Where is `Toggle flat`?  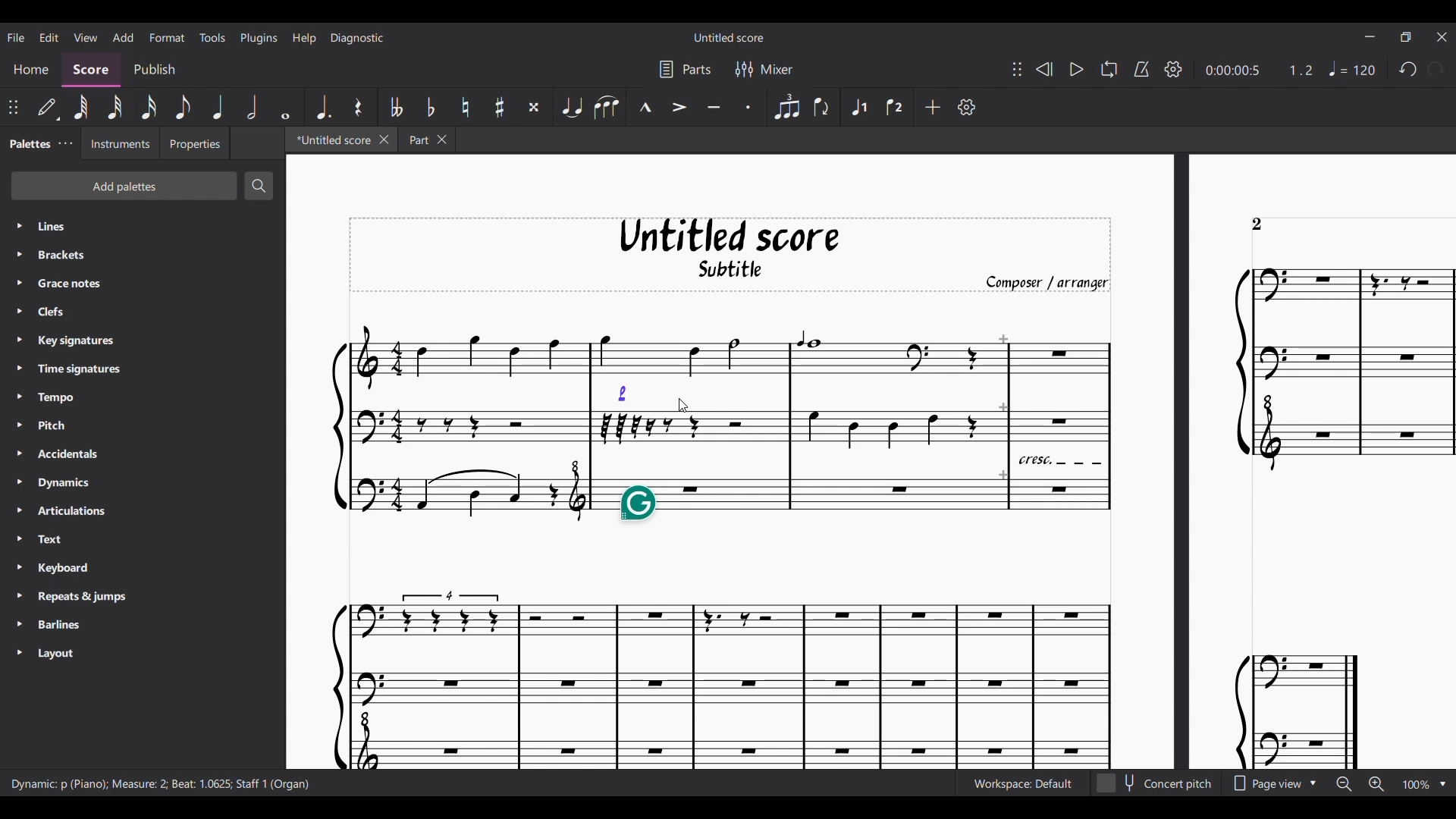 Toggle flat is located at coordinates (431, 106).